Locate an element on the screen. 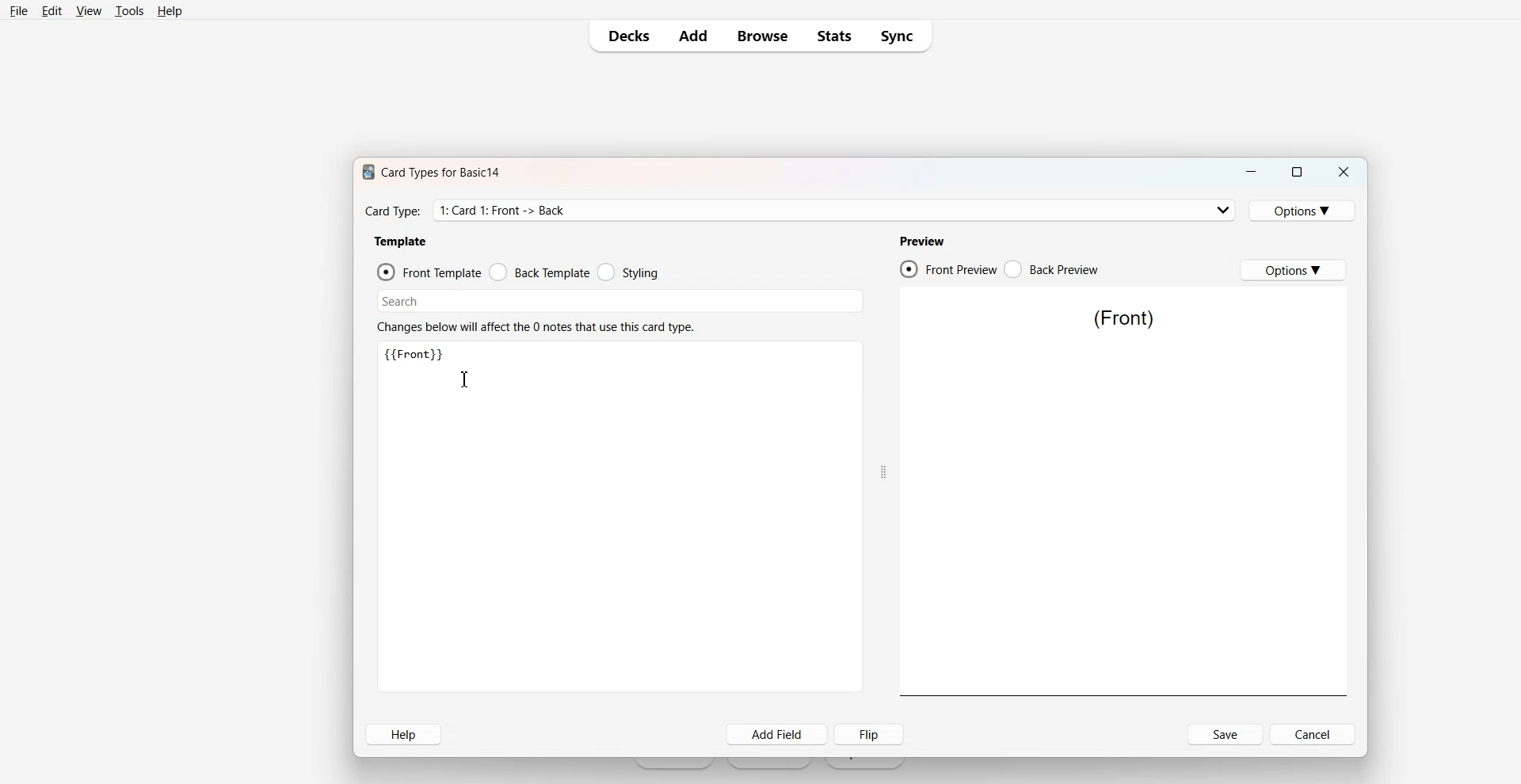 This screenshot has width=1521, height=784. Create Deck is located at coordinates (770, 764).